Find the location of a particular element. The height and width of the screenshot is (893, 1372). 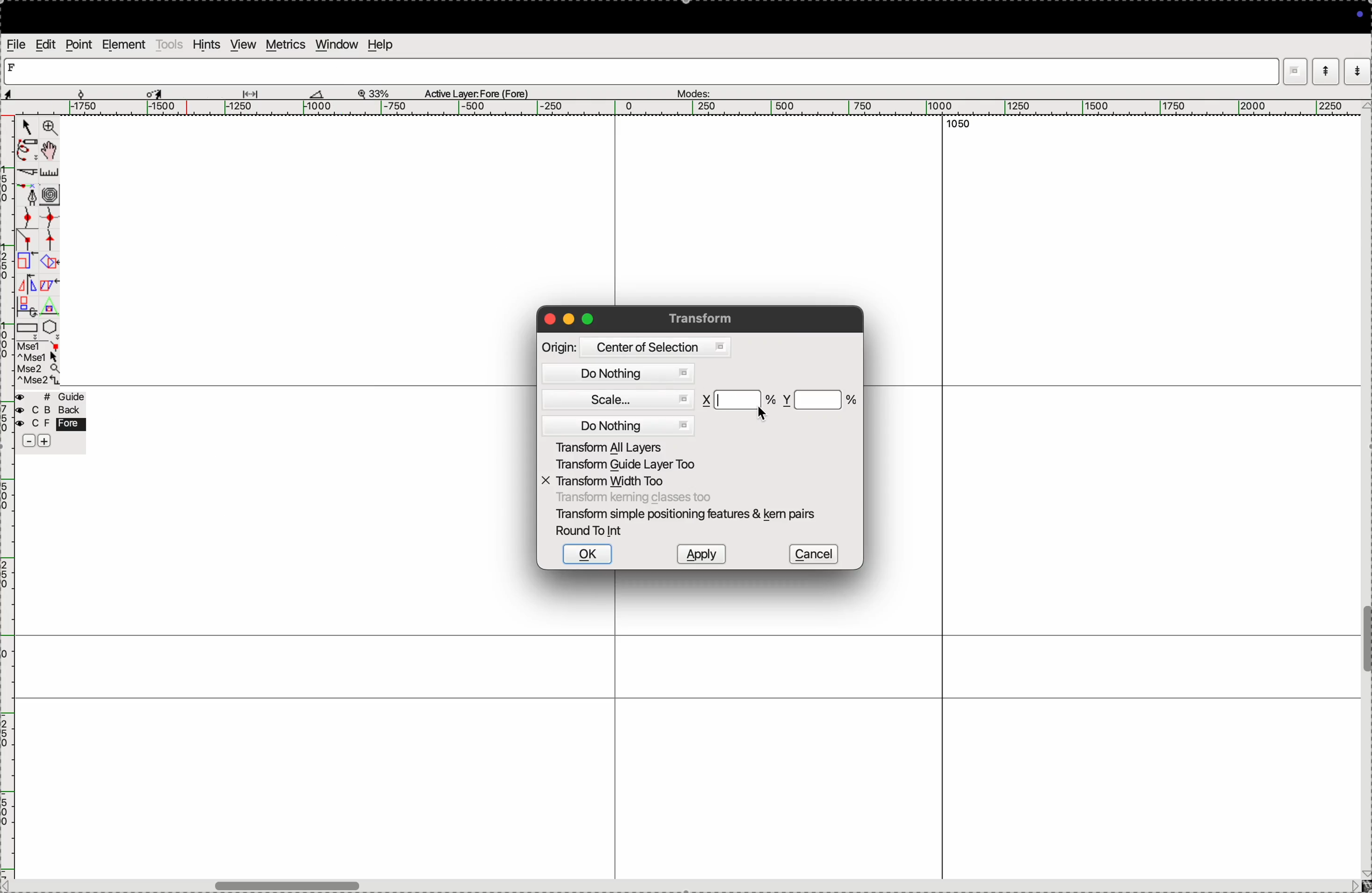

metrics is located at coordinates (287, 44).